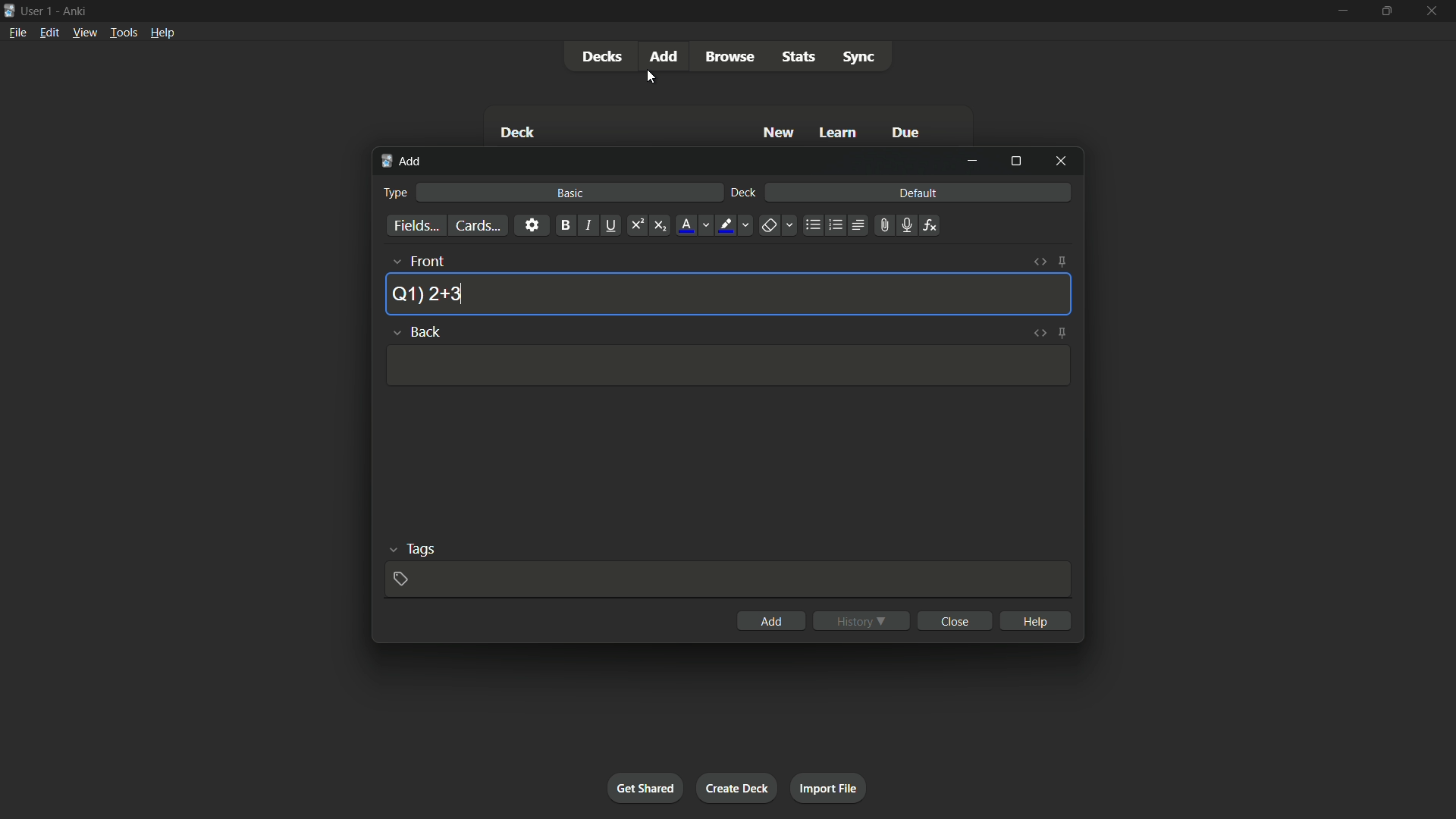 This screenshot has height=819, width=1456. I want to click on basic, so click(571, 193).